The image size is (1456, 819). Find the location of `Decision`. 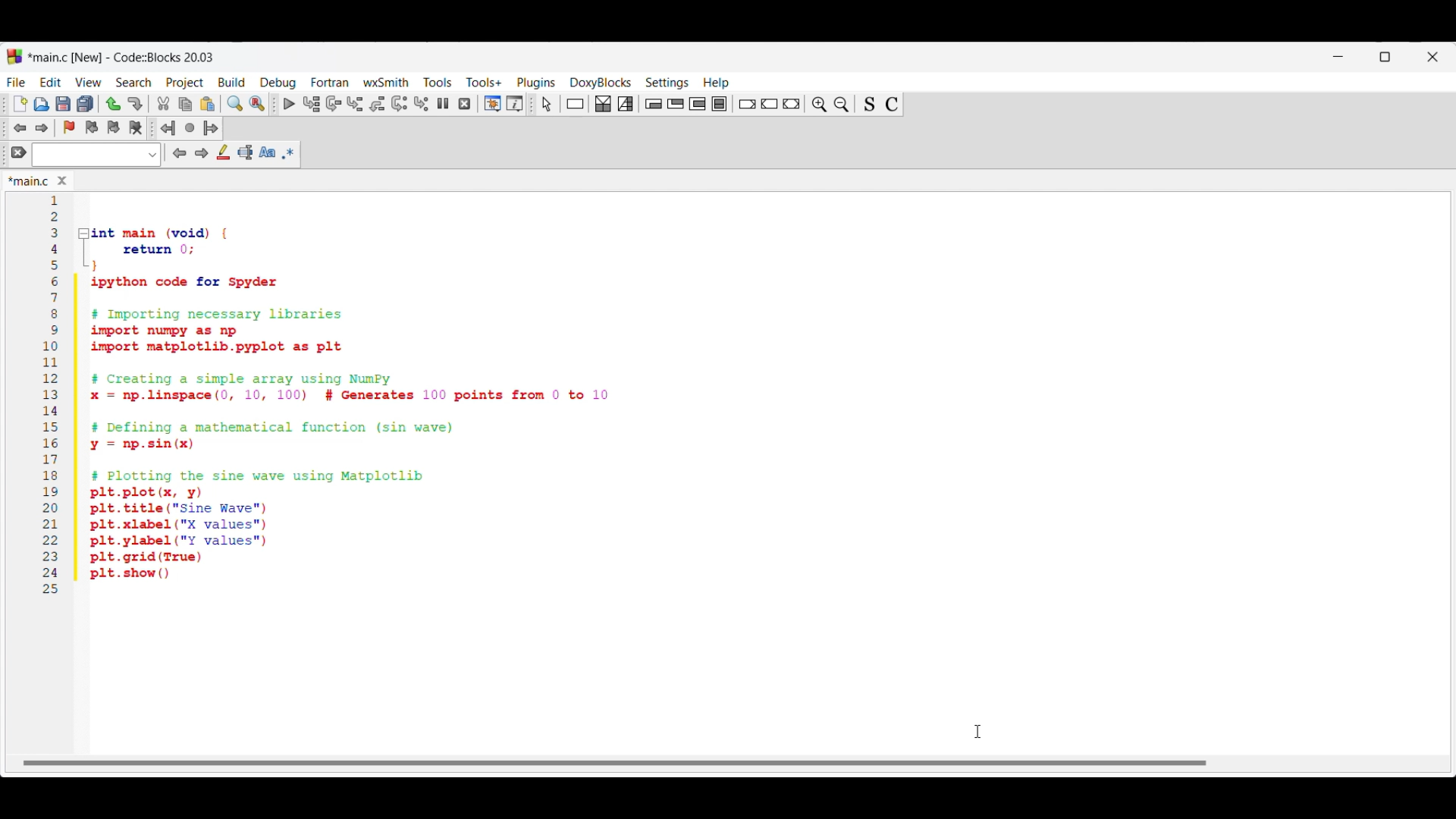

Decision is located at coordinates (603, 104).